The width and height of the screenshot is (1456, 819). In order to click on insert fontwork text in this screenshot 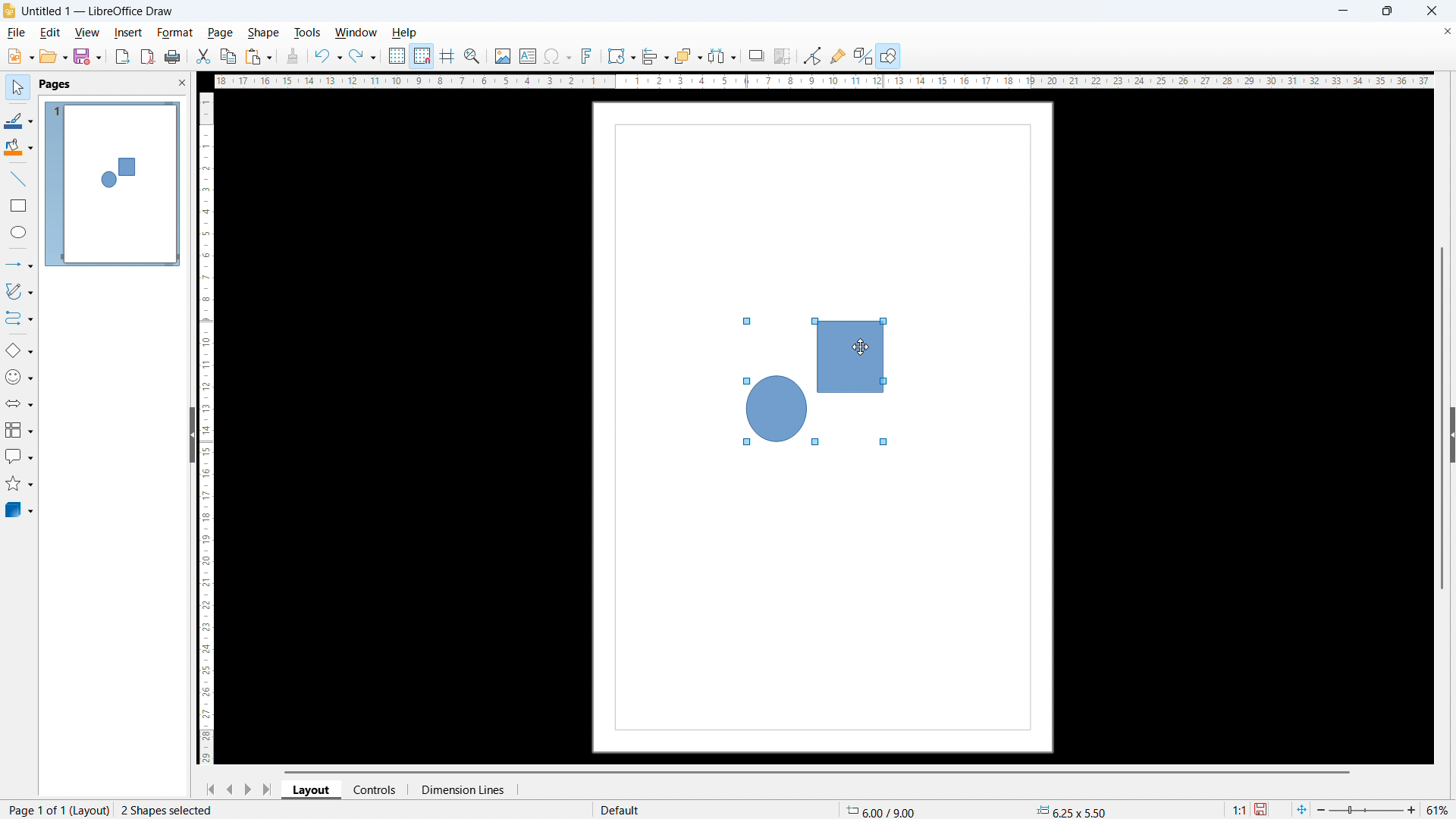, I will do `click(588, 57)`.